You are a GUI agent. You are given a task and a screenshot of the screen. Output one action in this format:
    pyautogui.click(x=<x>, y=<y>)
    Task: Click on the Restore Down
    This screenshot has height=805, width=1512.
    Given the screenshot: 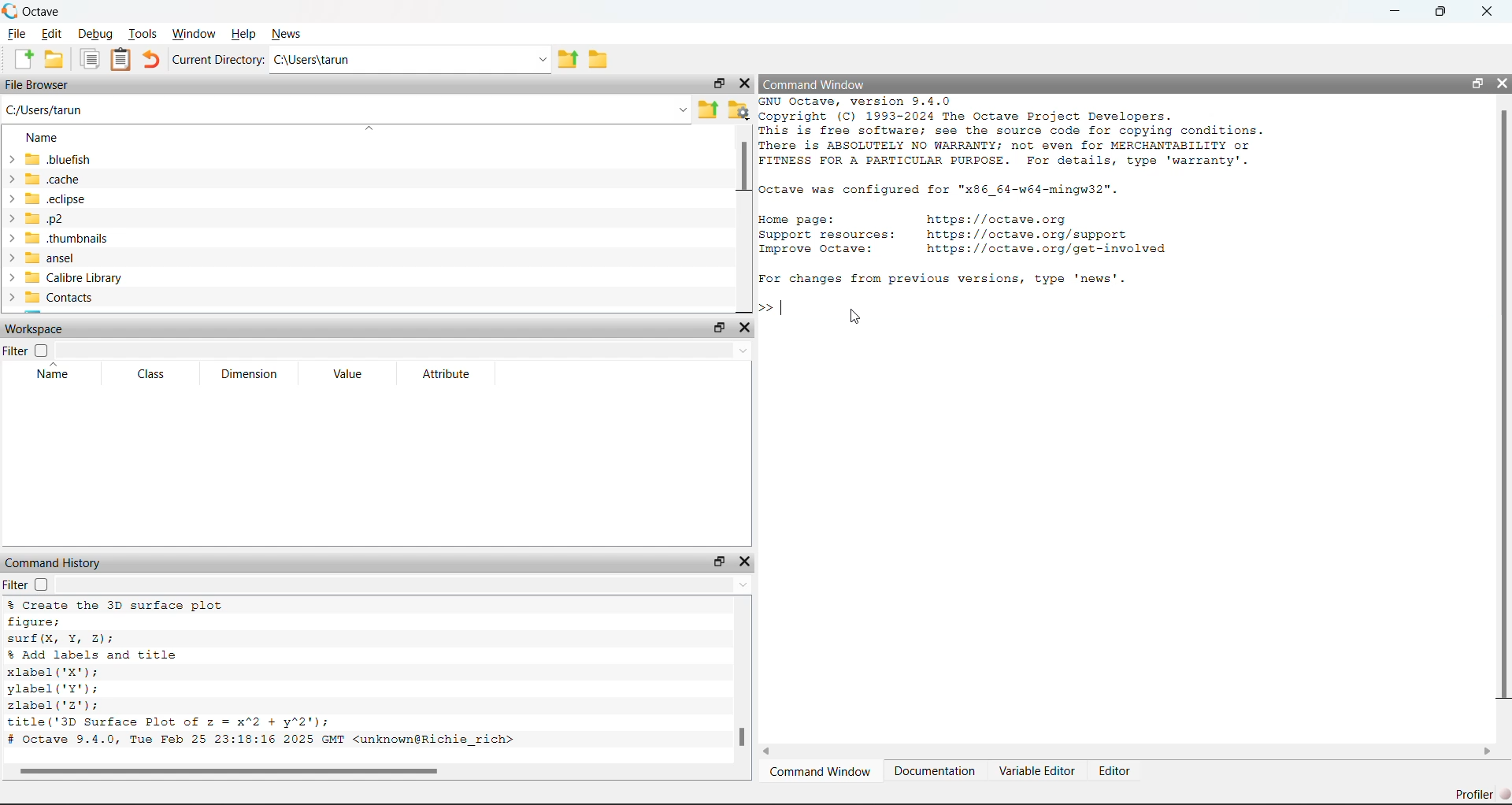 What is the action you would take?
    pyautogui.click(x=720, y=562)
    